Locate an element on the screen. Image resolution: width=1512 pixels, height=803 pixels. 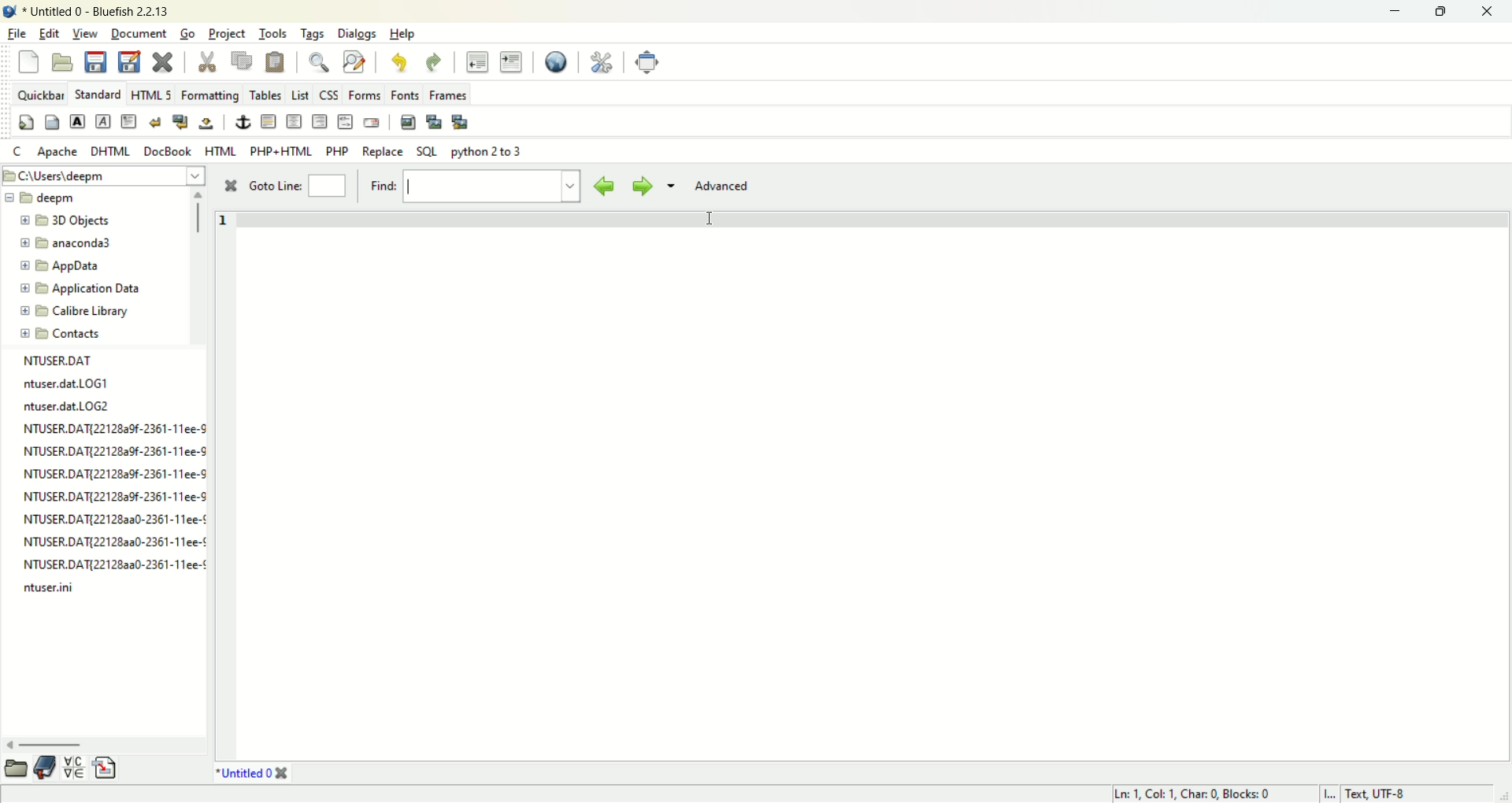
3D object is located at coordinates (71, 221).